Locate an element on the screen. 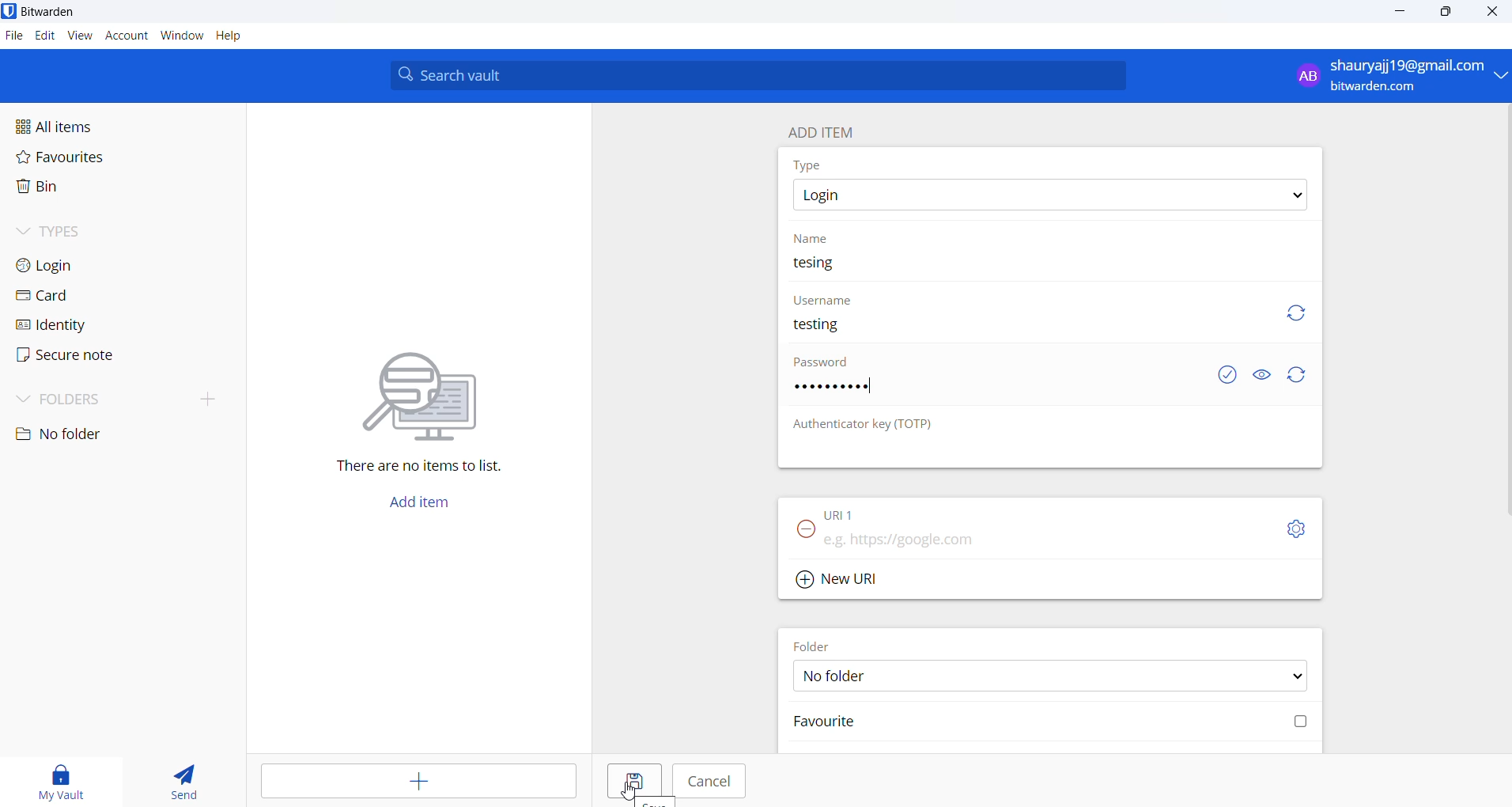 The width and height of the screenshot is (1512, 807). Window is located at coordinates (182, 39).